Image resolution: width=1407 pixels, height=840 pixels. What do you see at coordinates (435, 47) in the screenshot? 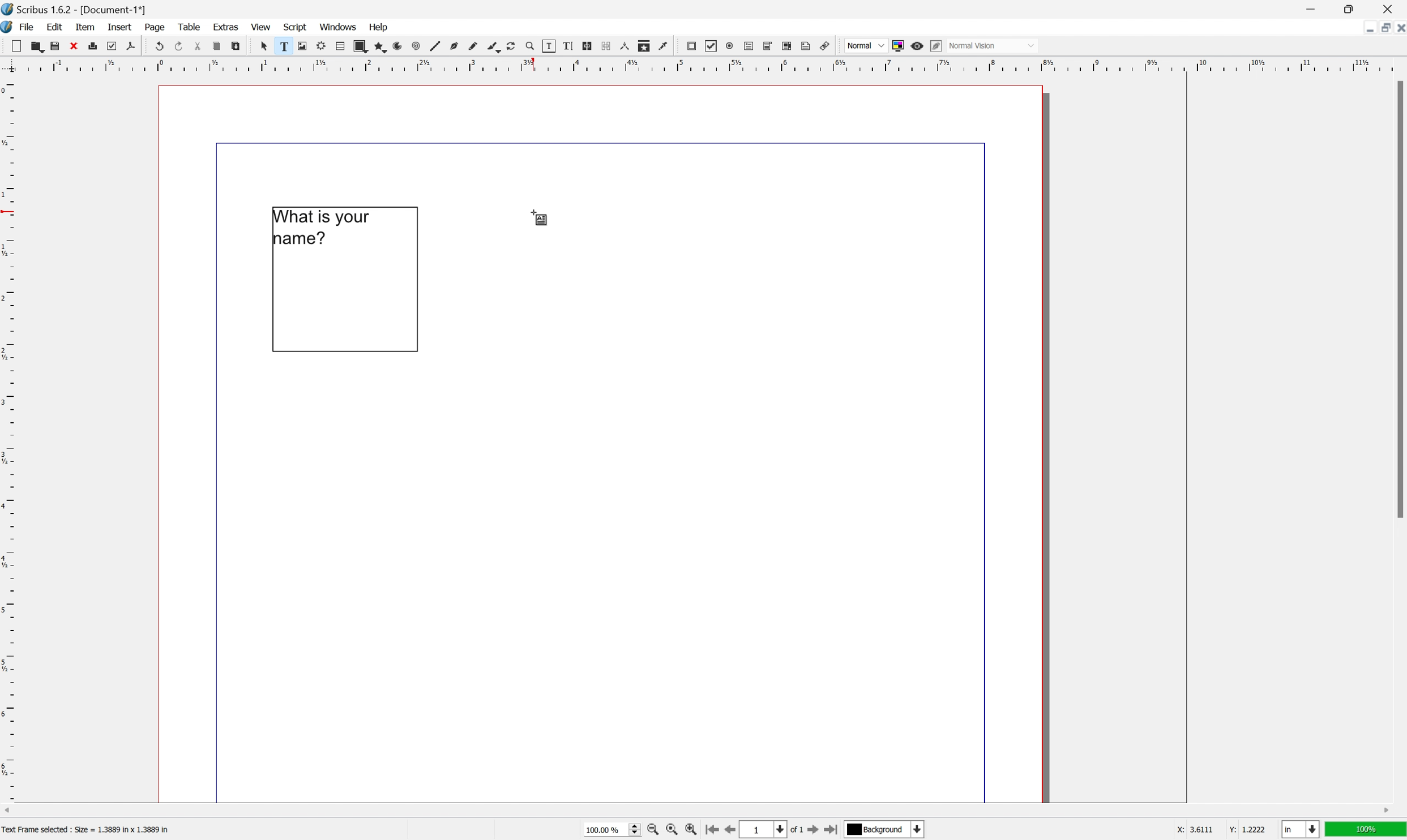
I see `line` at bounding box center [435, 47].